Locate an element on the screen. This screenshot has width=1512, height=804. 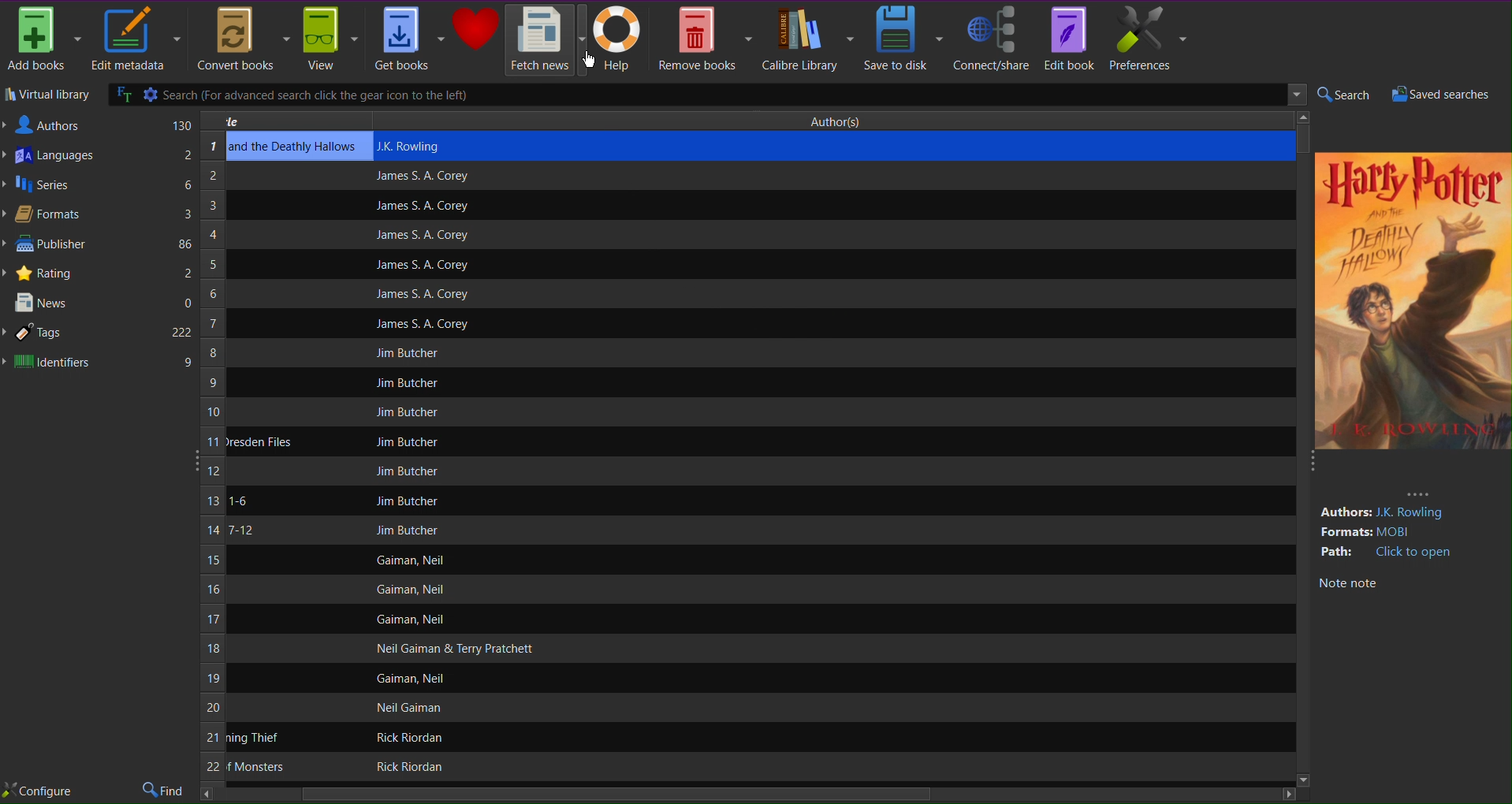
Rating is located at coordinates (99, 272).